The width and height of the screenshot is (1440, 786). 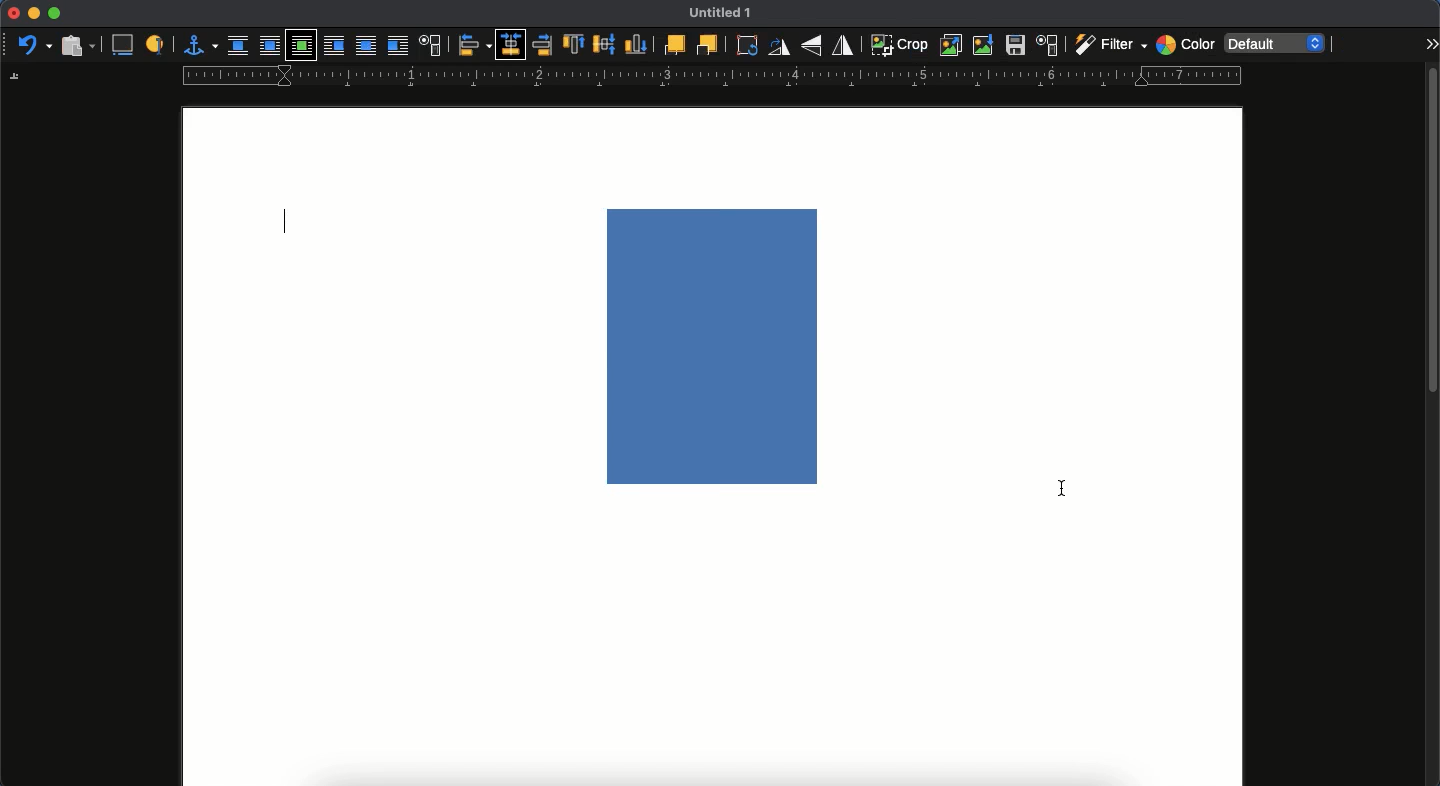 I want to click on middle to anchor, so click(x=602, y=45).